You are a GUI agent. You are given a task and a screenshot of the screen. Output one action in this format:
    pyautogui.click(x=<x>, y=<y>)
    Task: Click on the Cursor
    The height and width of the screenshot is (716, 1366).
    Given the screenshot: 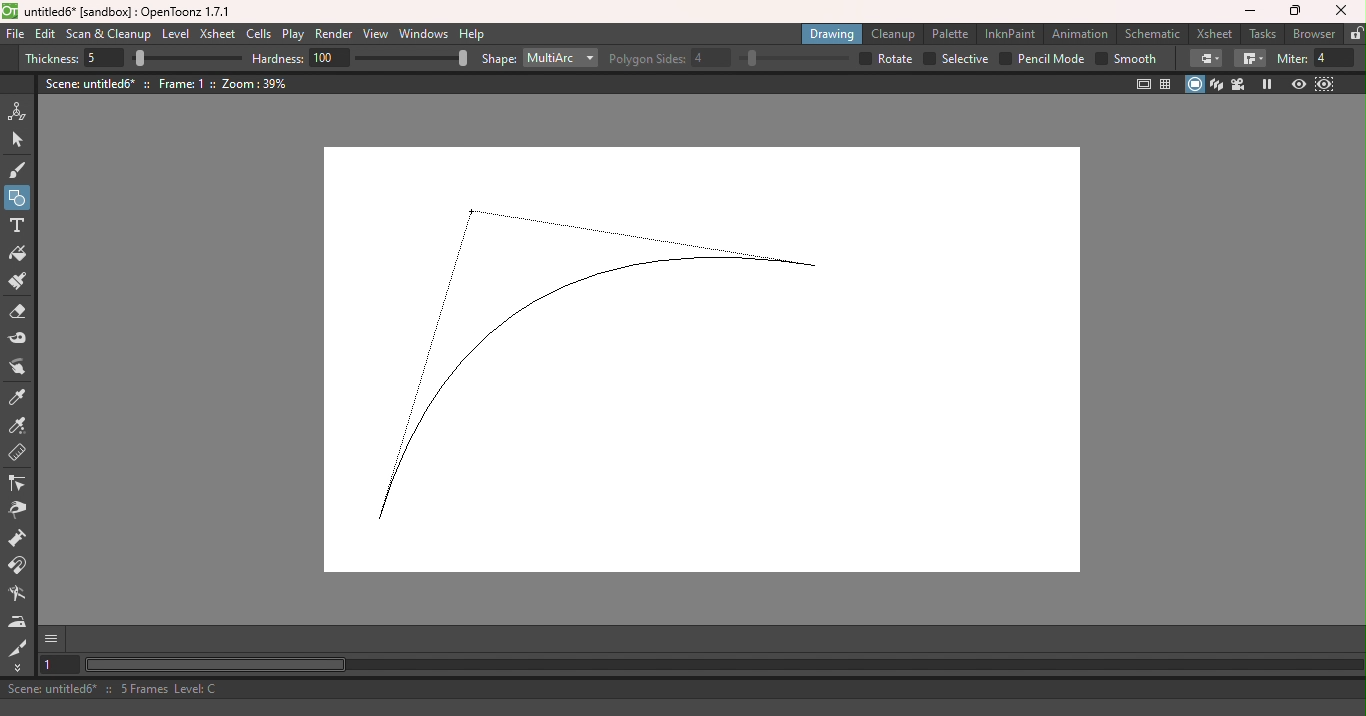 What is the action you would take?
    pyautogui.click(x=471, y=211)
    